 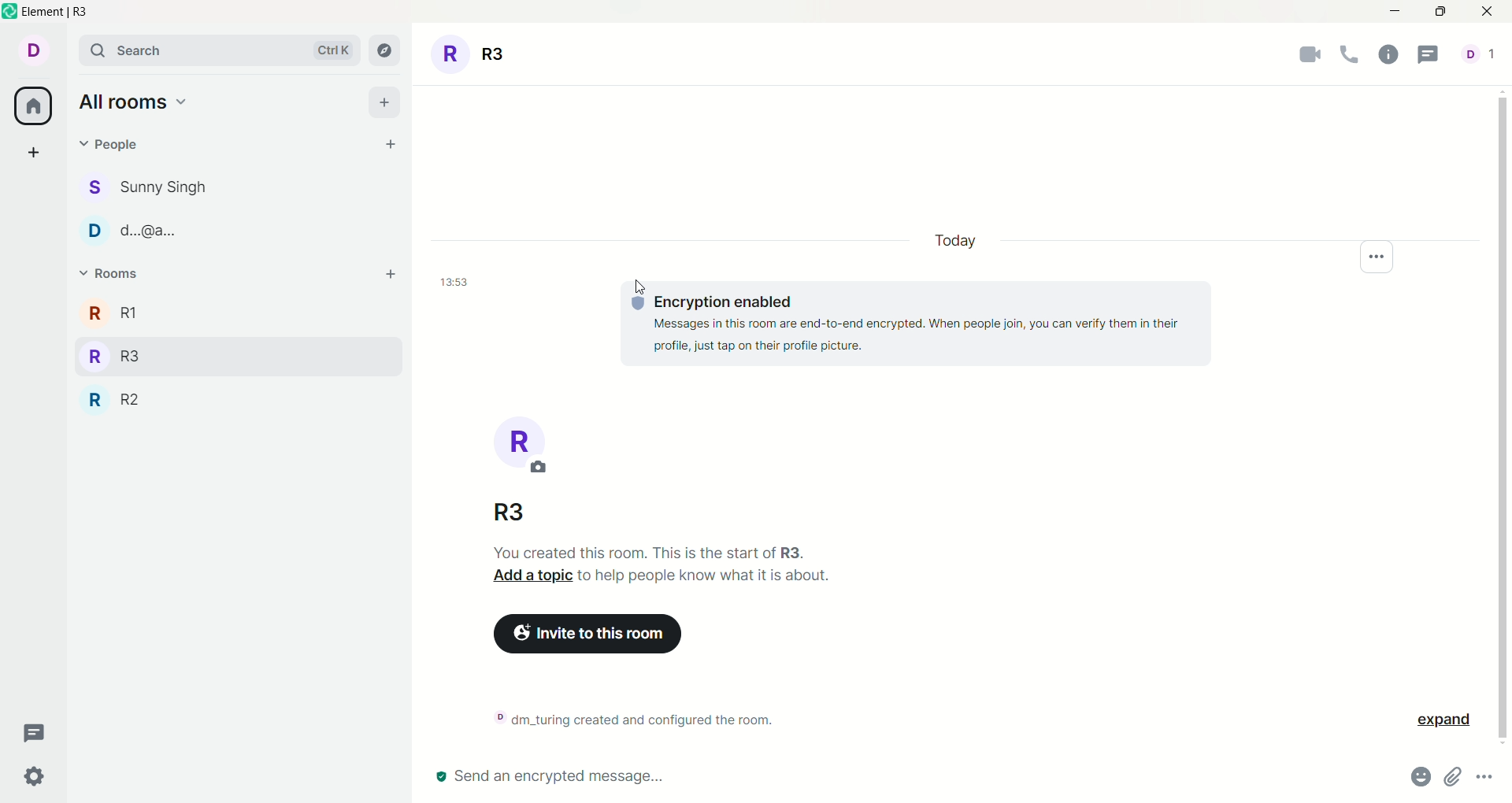 I want to click on settings, so click(x=32, y=778).